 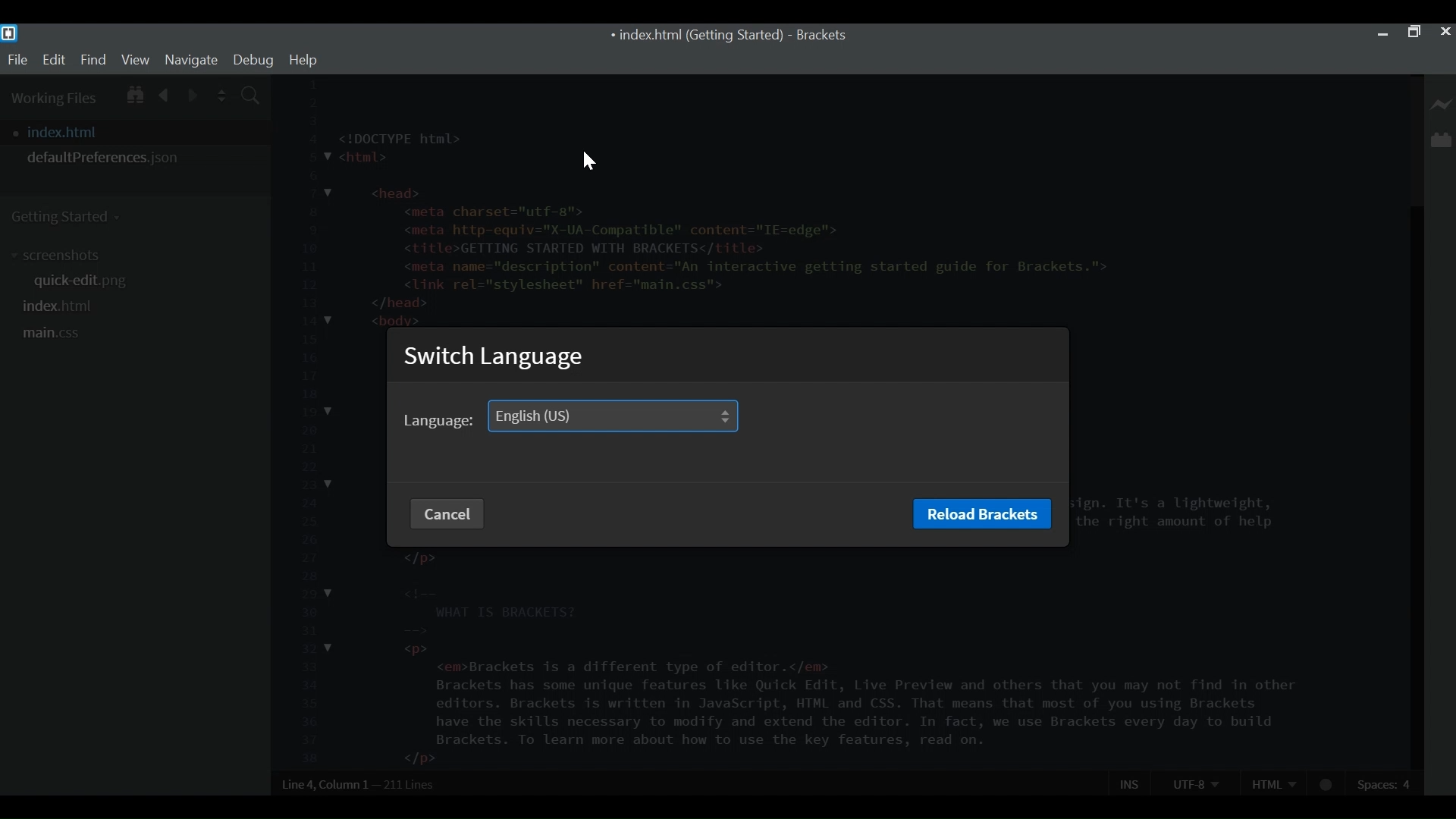 What do you see at coordinates (136, 59) in the screenshot?
I see `View` at bounding box center [136, 59].